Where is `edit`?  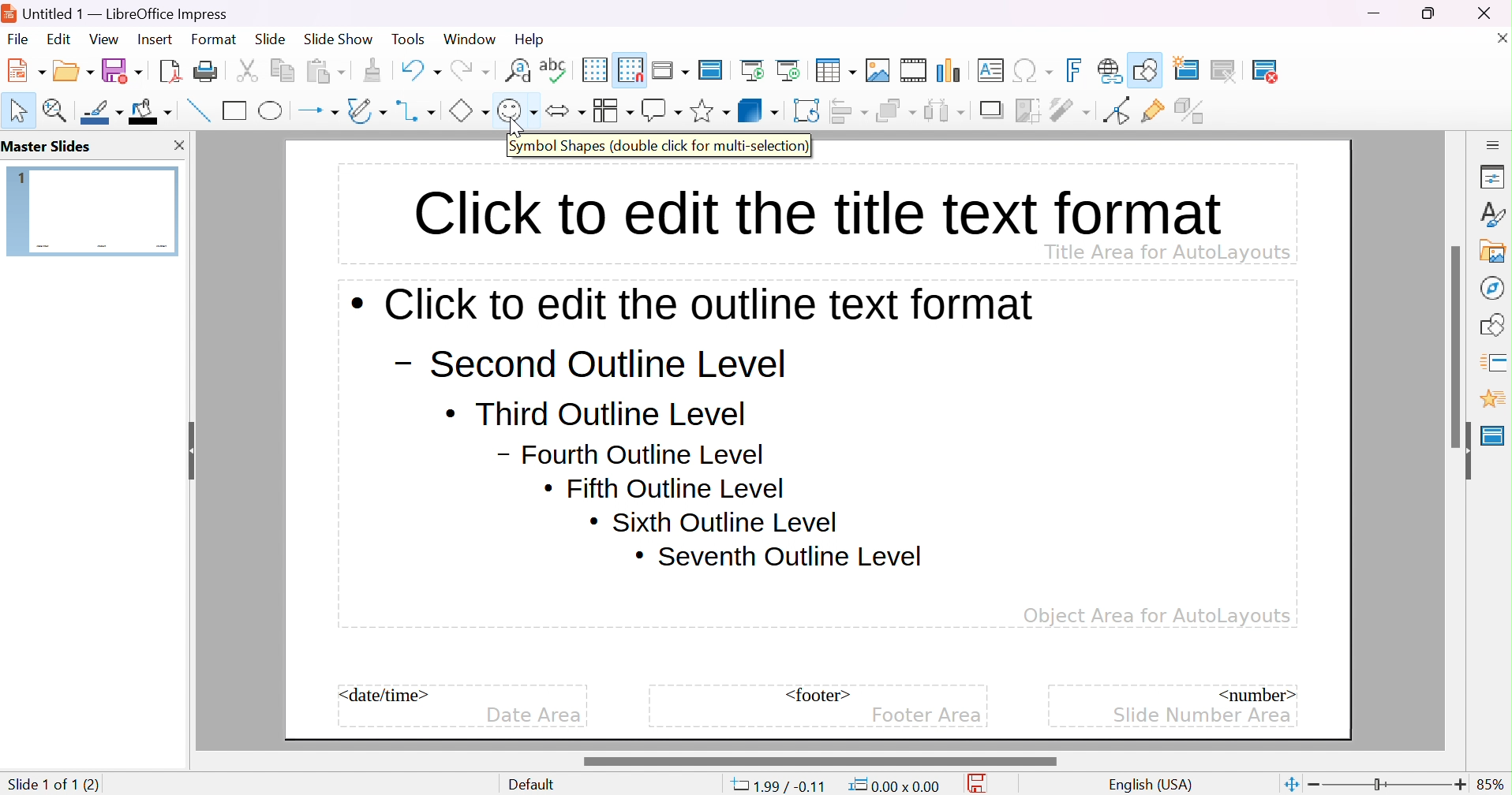
edit is located at coordinates (61, 39).